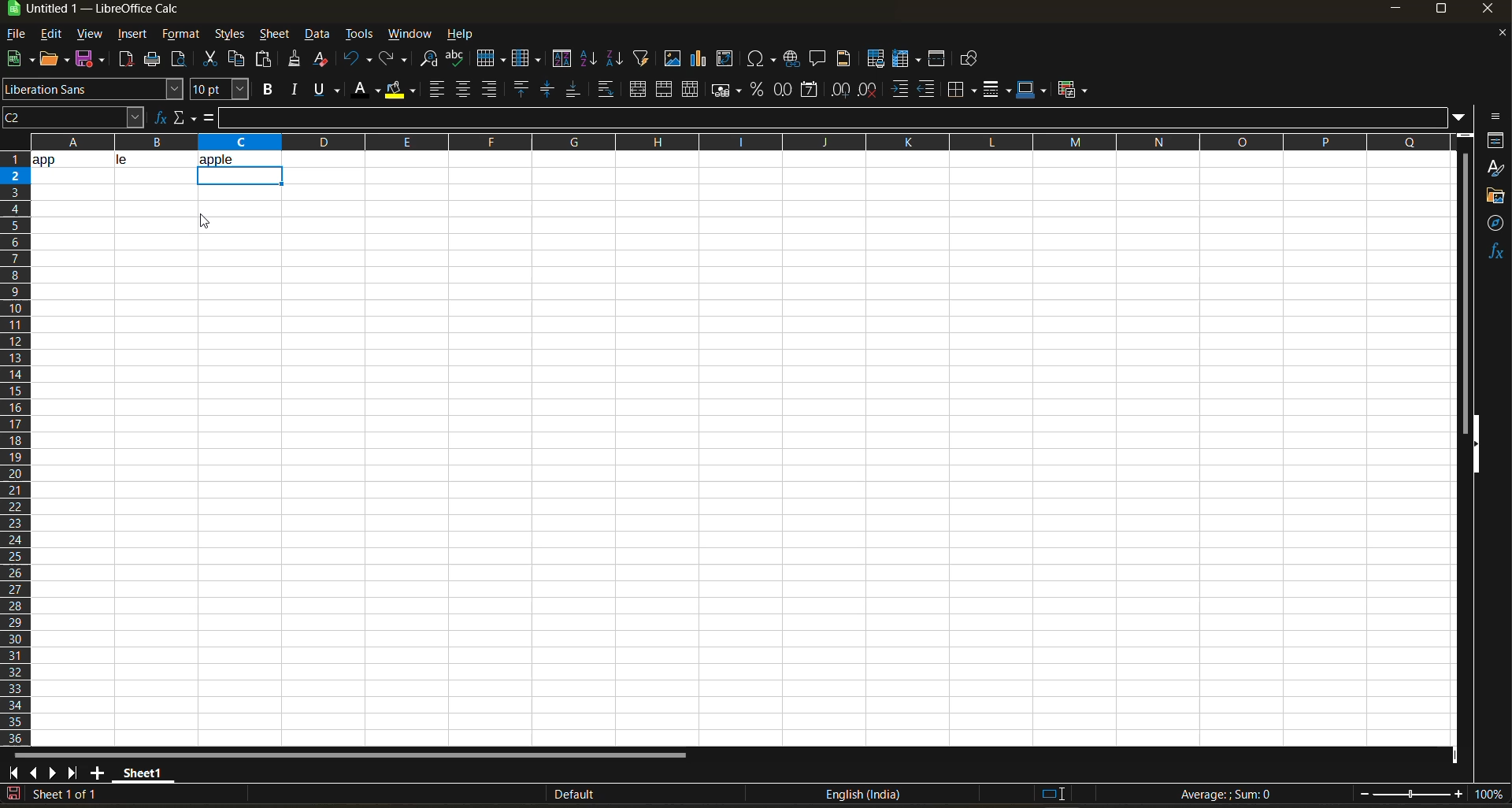  What do you see at coordinates (875, 59) in the screenshot?
I see `define print area` at bounding box center [875, 59].